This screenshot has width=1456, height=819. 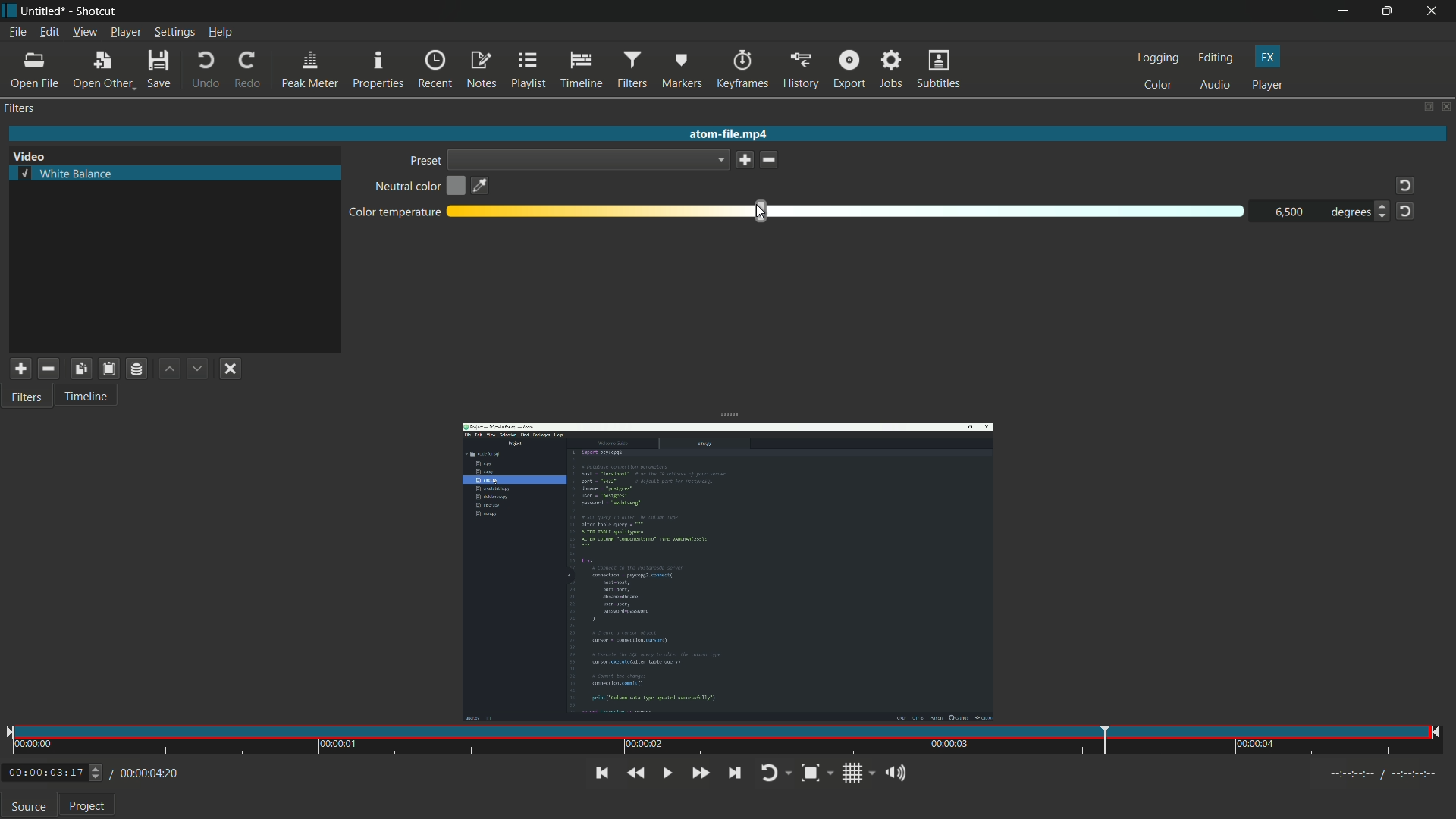 What do you see at coordinates (310, 70) in the screenshot?
I see `peak meter` at bounding box center [310, 70].